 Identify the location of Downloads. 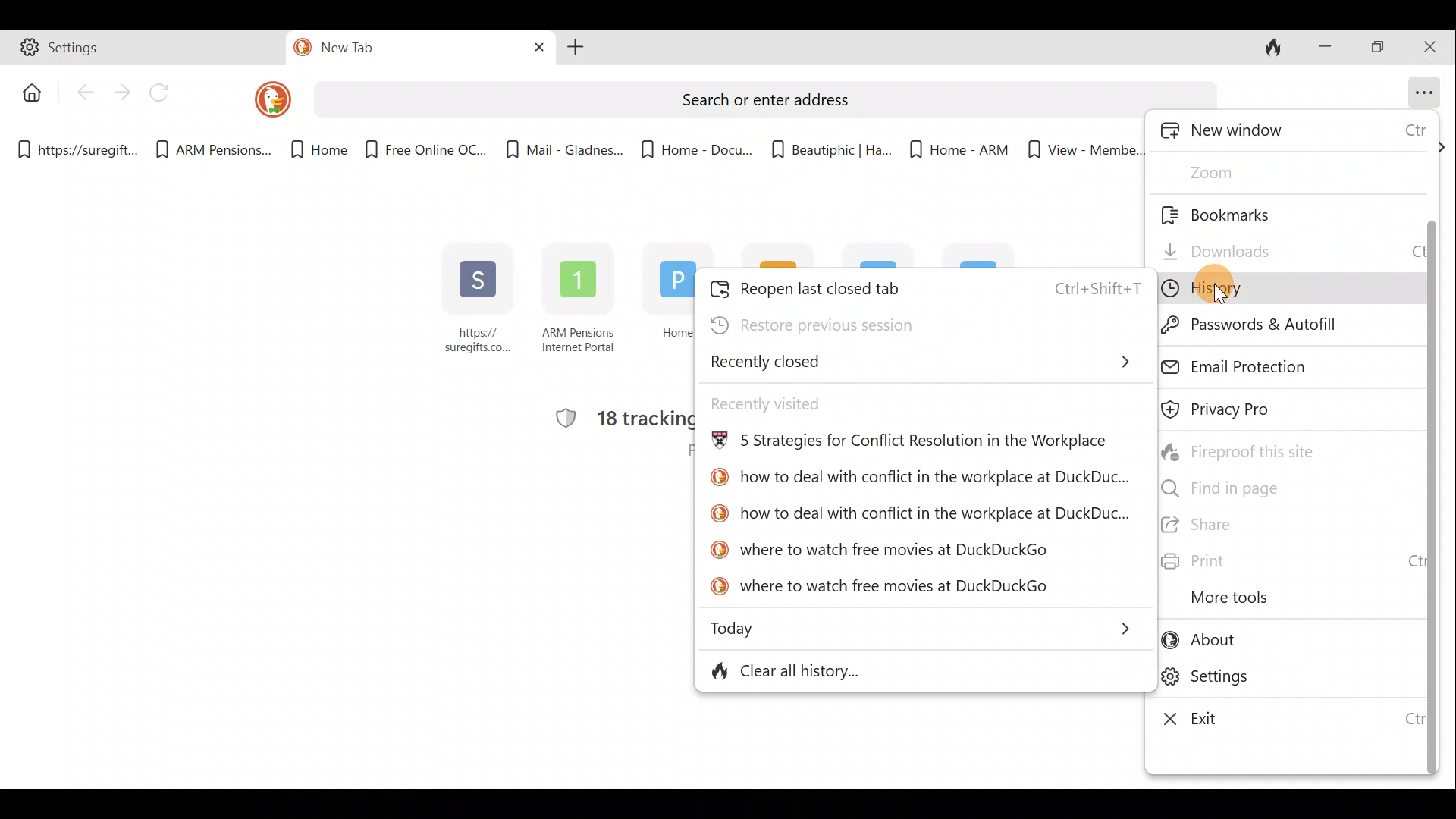
(1284, 246).